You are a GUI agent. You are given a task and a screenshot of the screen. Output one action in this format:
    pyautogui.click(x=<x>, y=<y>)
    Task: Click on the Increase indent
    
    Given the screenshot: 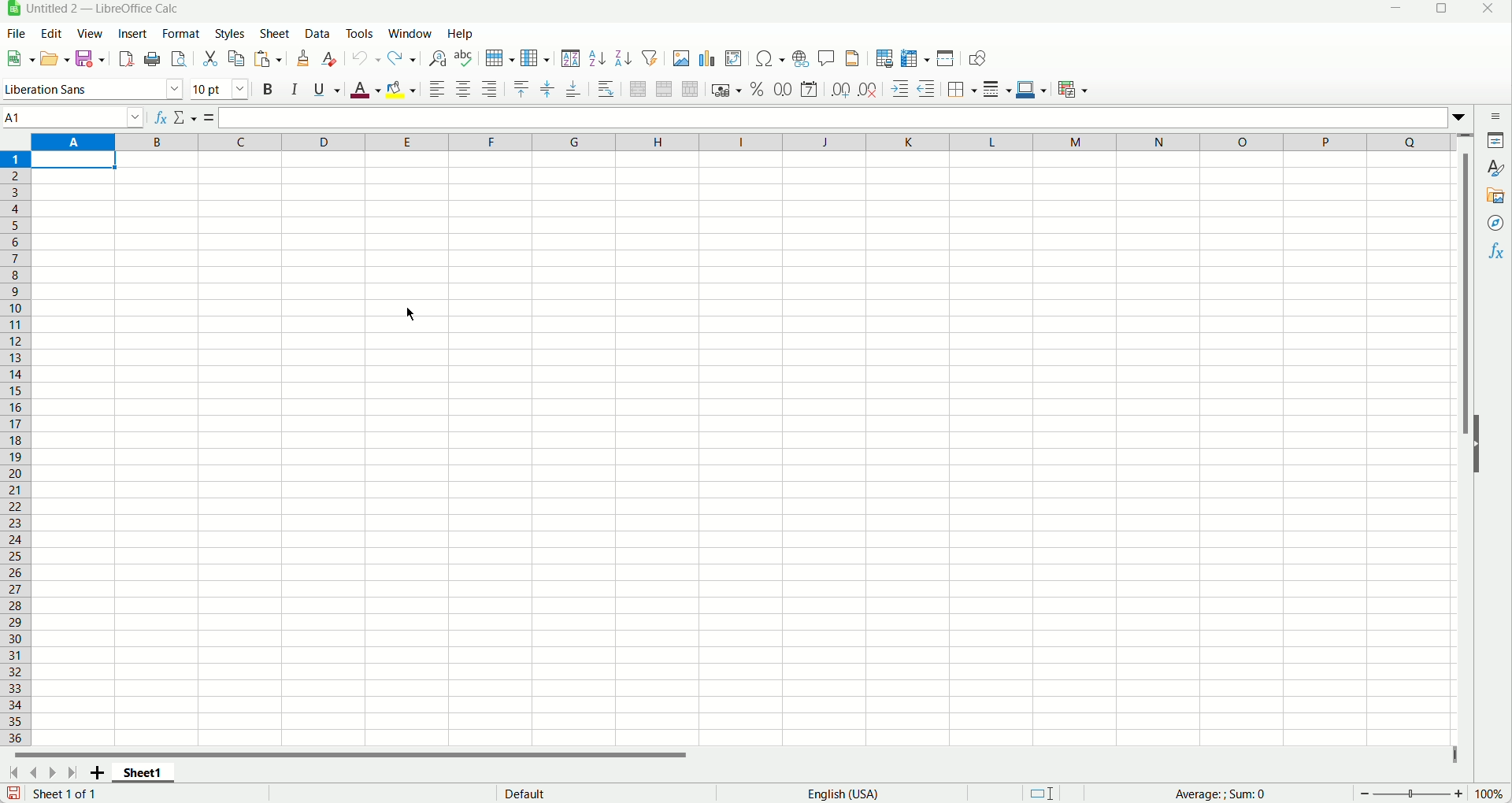 What is the action you would take?
    pyautogui.click(x=897, y=89)
    